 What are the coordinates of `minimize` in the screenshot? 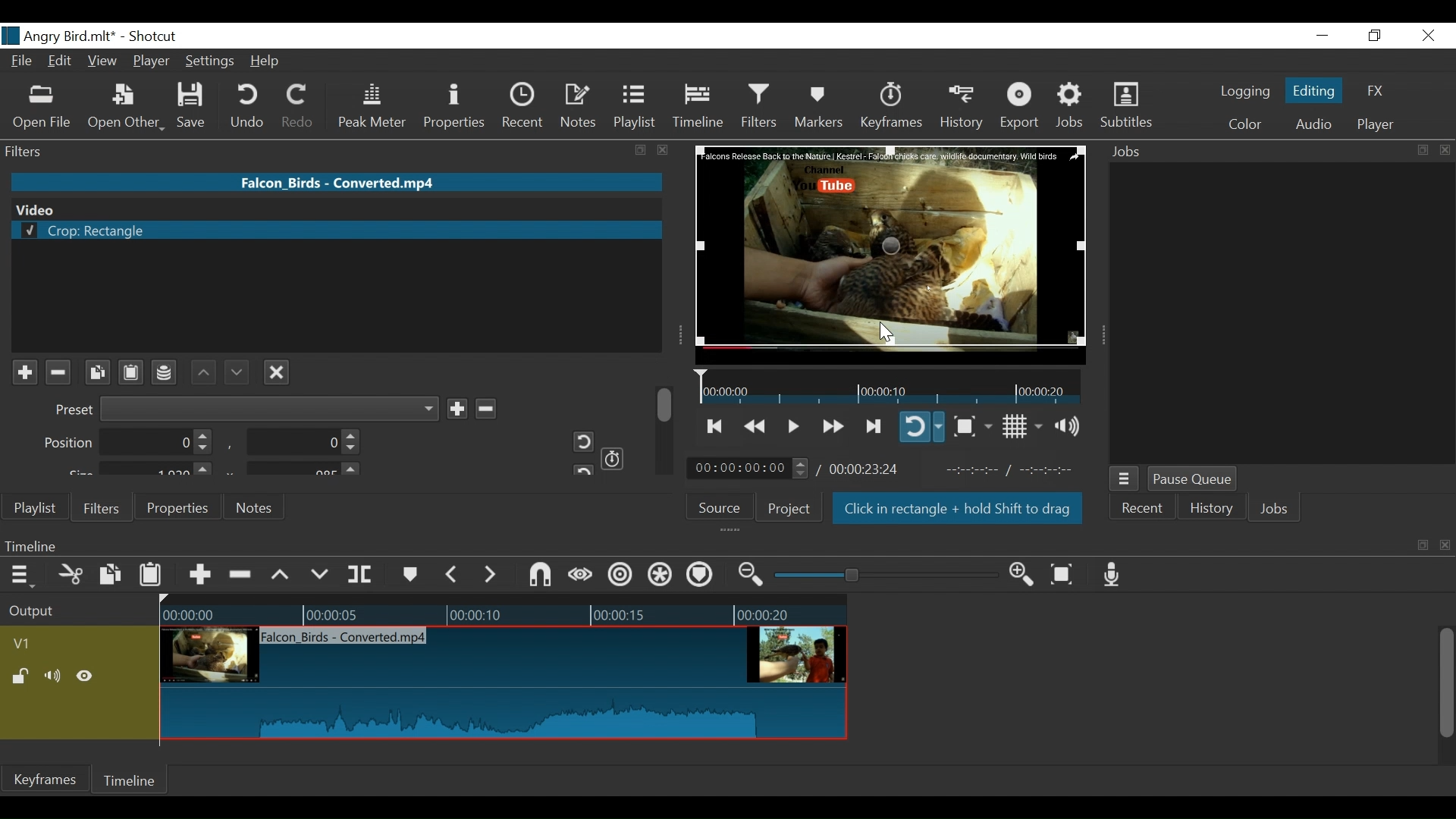 It's located at (1322, 36).